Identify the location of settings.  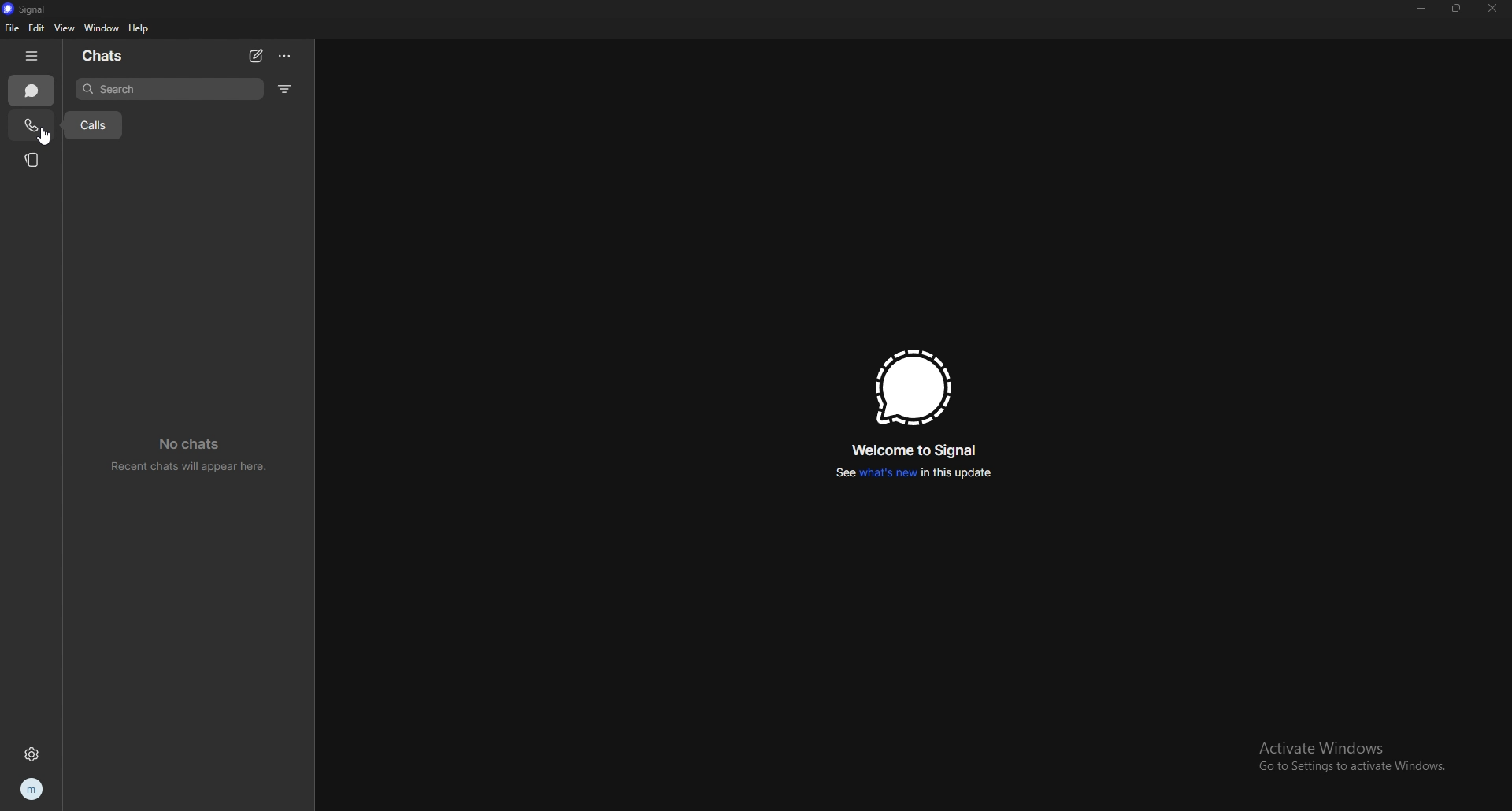
(31, 755).